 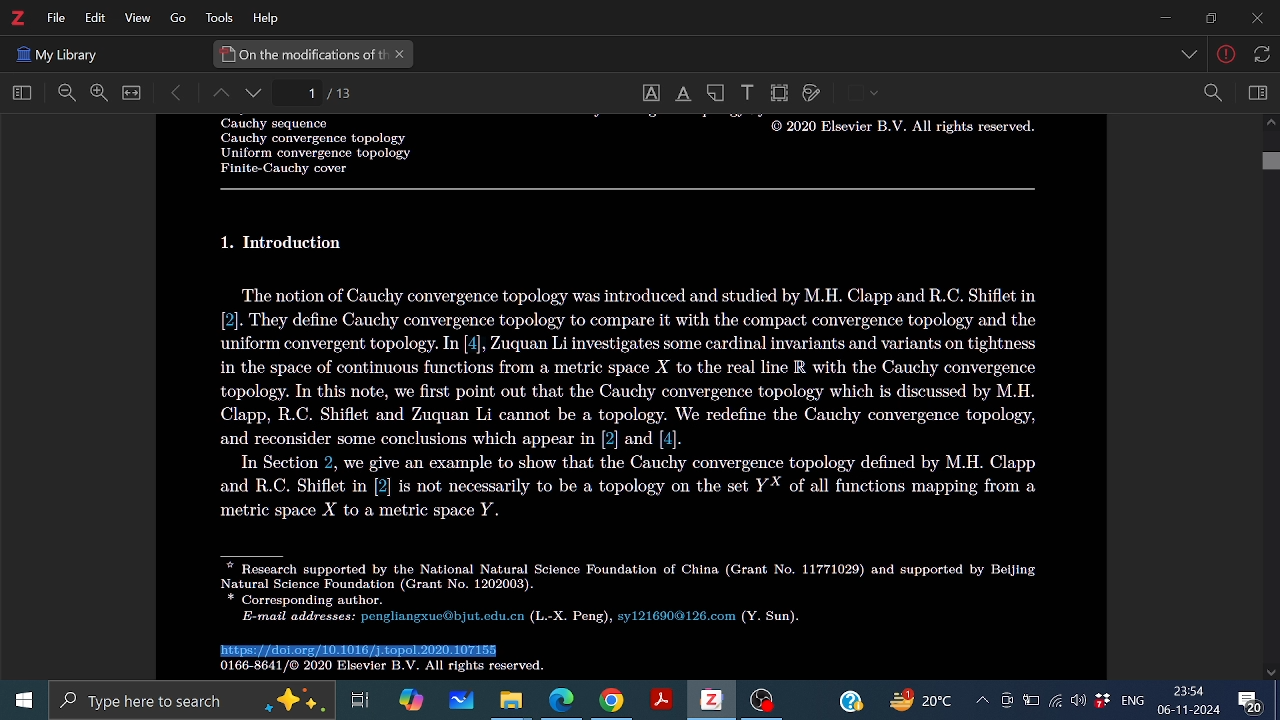 What do you see at coordinates (401, 55) in the screenshot?
I see `Close current tab` at bounding box center [401, 55].